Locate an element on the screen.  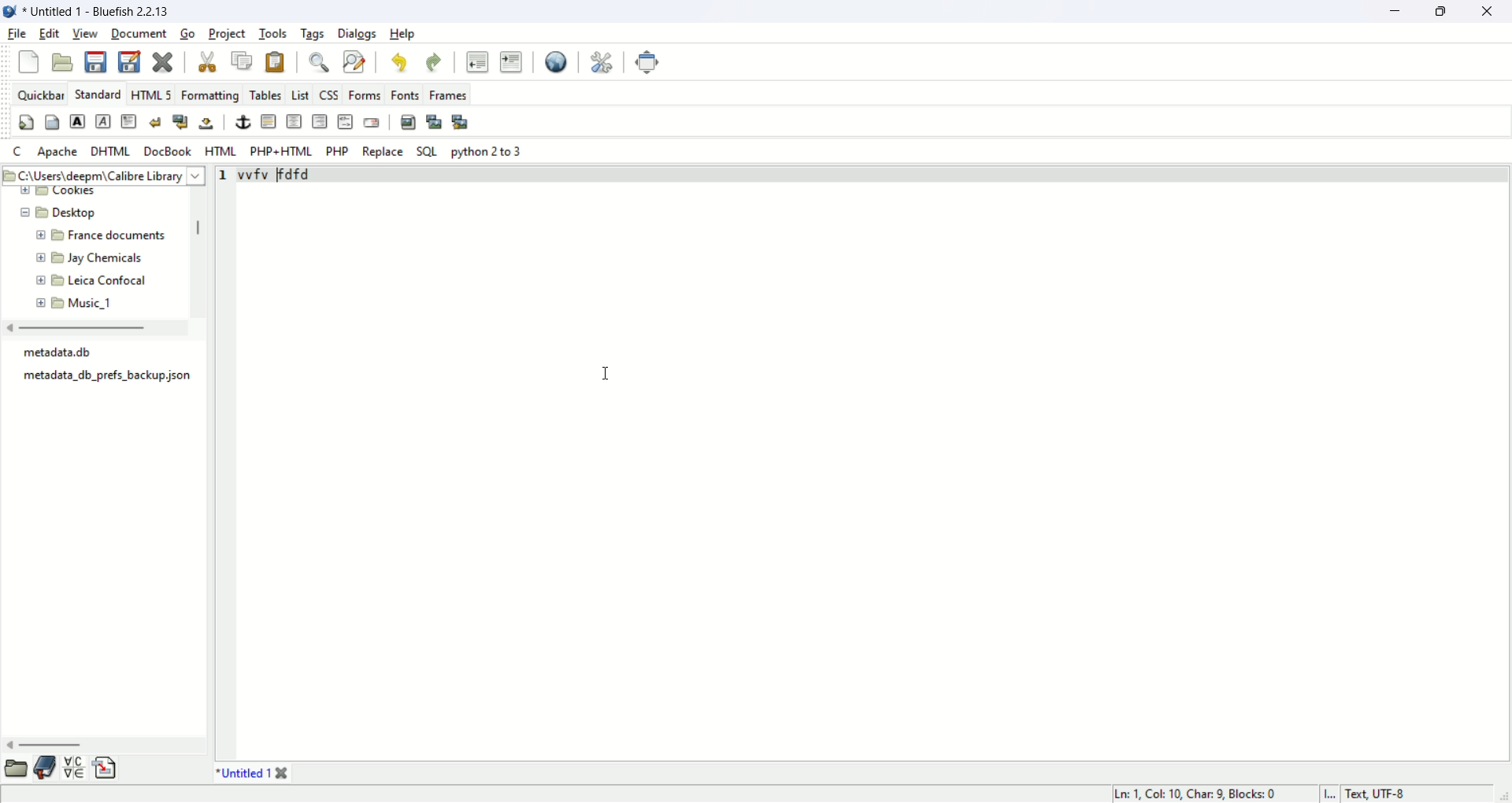
view is located at coordinates (84, 34).